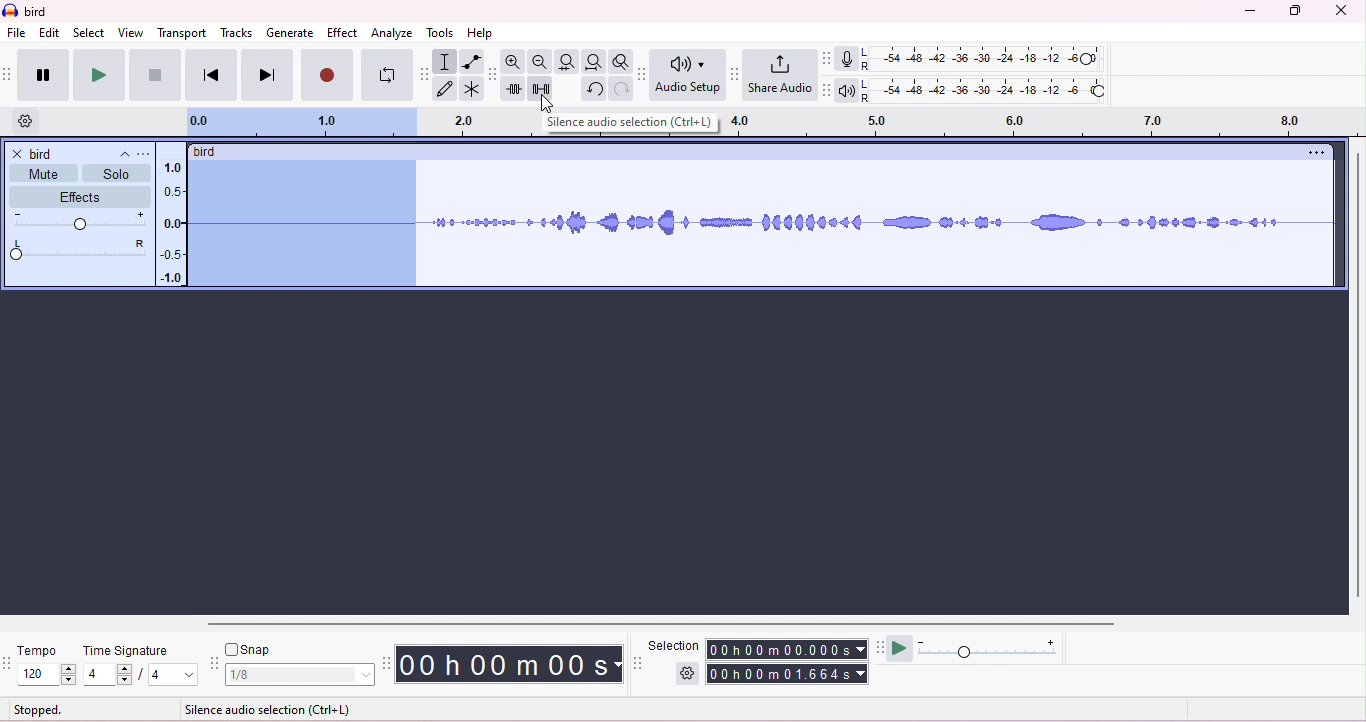 The image size is (1366, 722). Describe the element at coordinates (878, 646) in the screenshot. I see `play at speed tool bar` at that location.